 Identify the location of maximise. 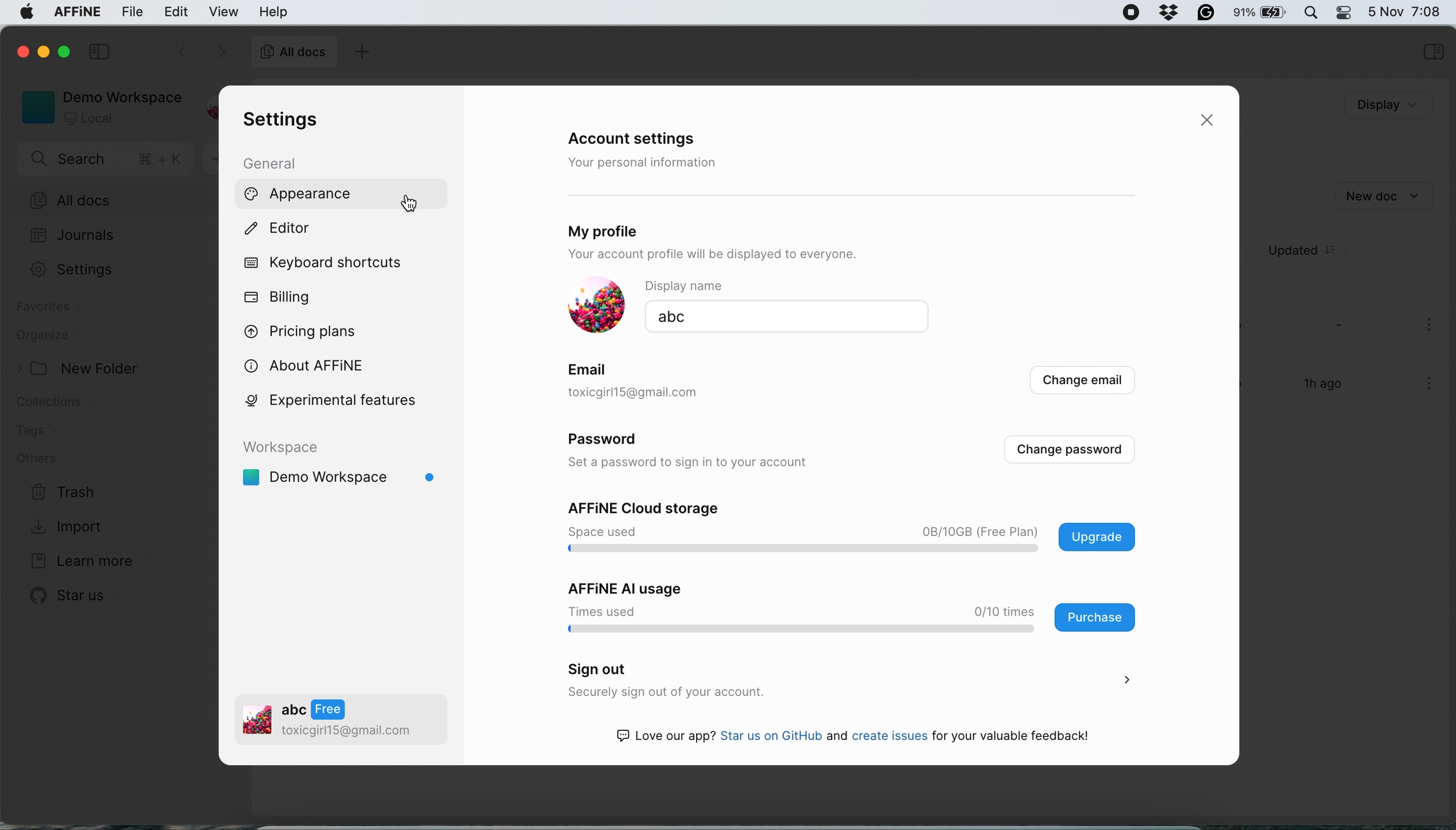
(59, 52).